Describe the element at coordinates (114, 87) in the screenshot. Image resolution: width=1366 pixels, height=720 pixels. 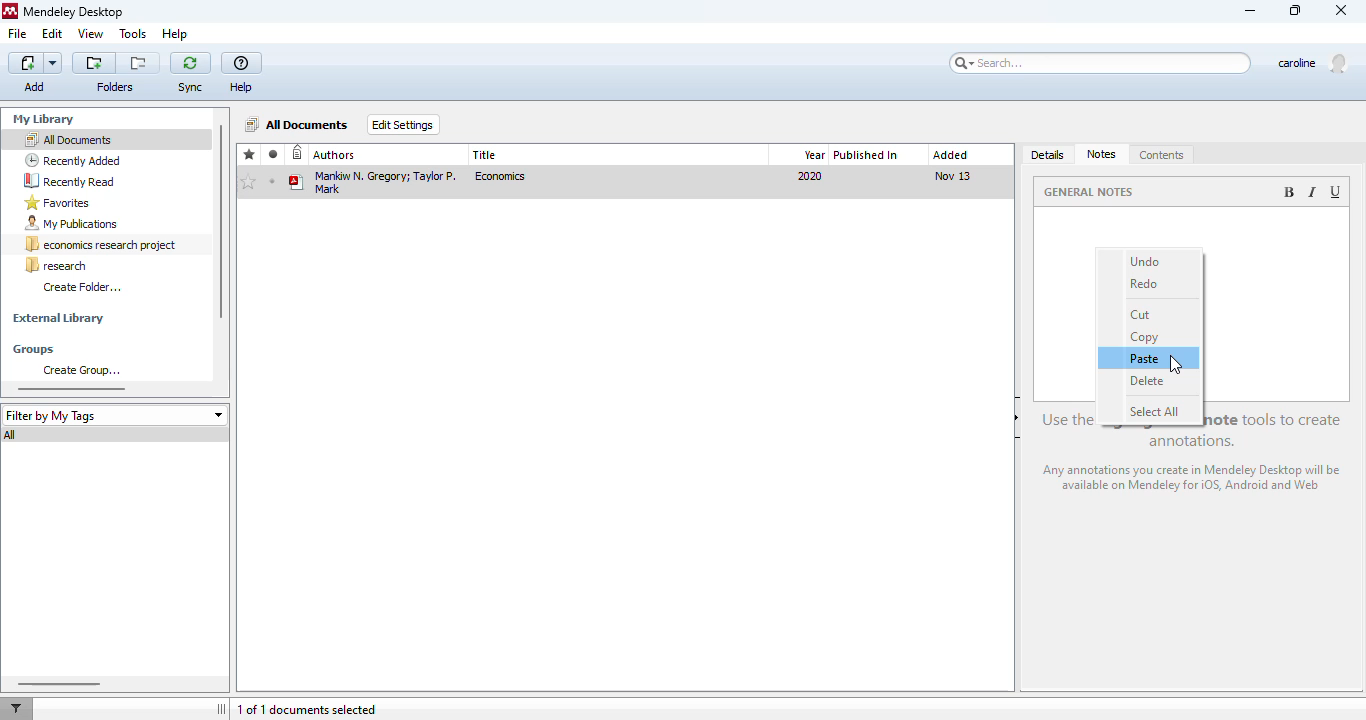
I see `folder` at that location.